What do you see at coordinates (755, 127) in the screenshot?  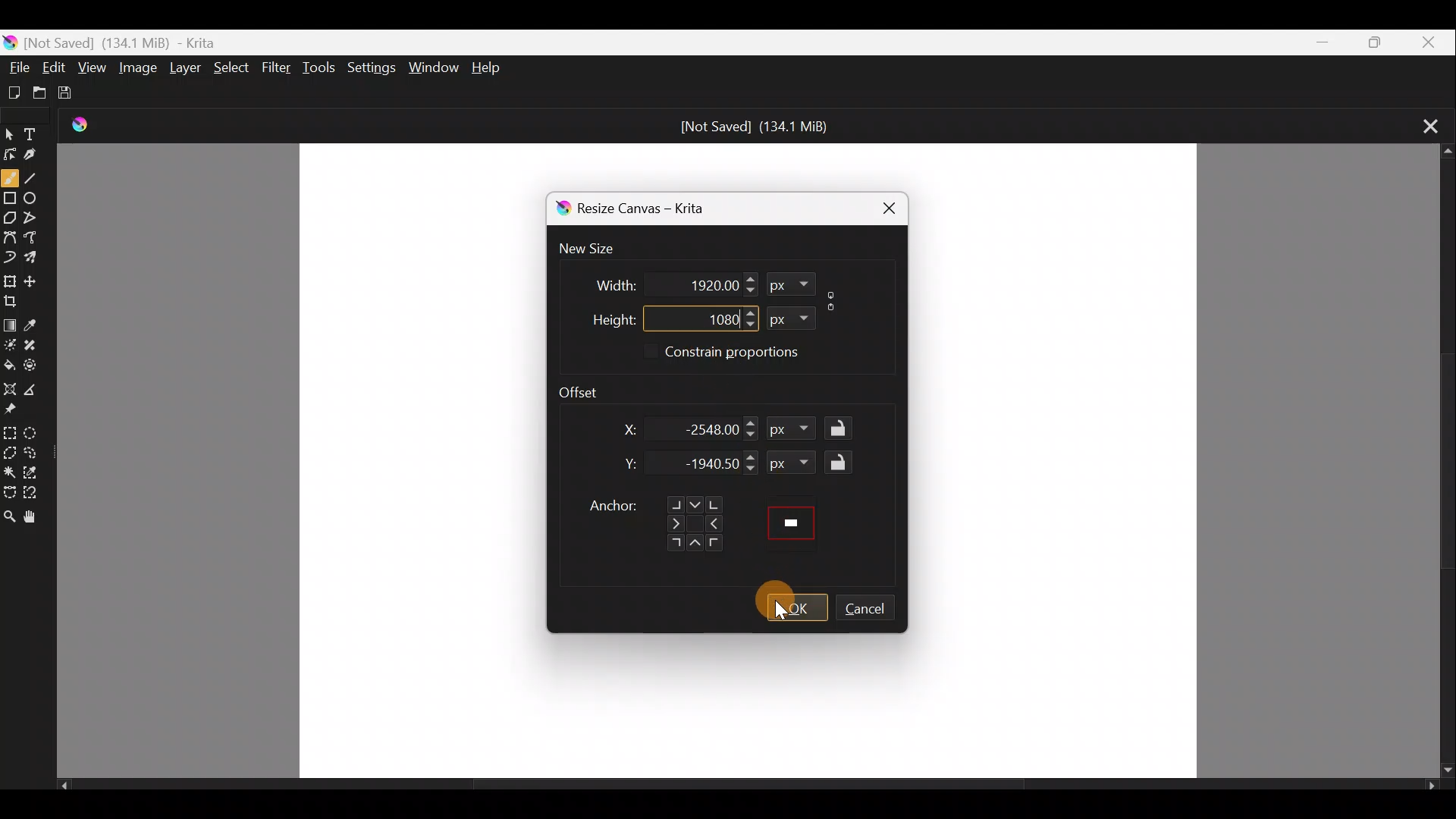 I see `[Not Saved] (134.1 MiB)` at bounding box center [755, 127].